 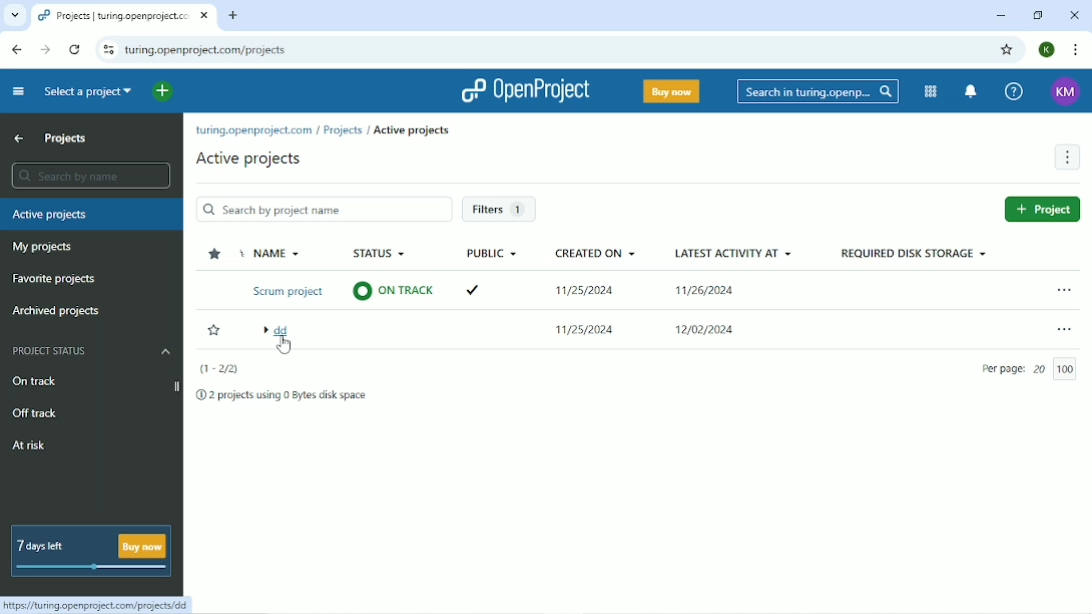 I want to click on Projects, so click(x=343, y=129).